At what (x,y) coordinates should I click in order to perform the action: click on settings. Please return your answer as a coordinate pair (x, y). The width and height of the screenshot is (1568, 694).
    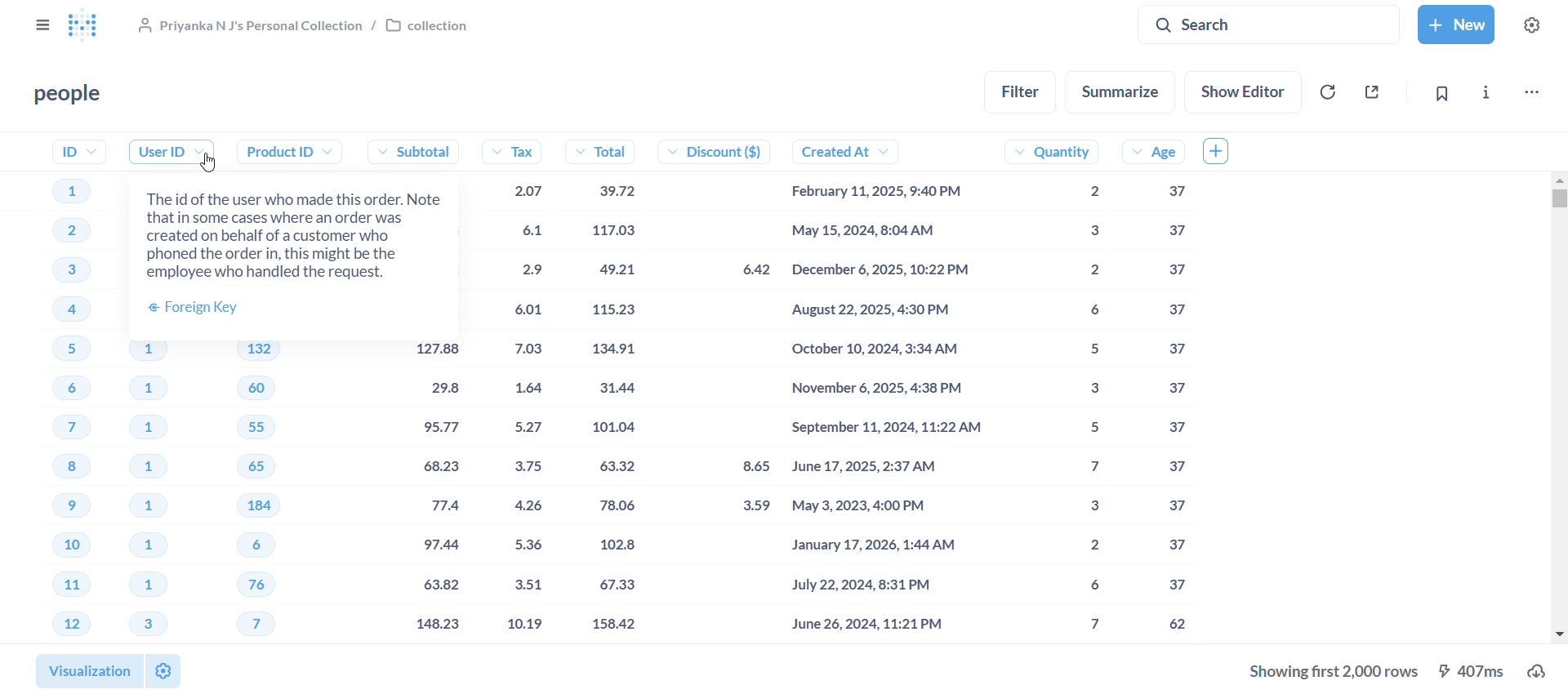
    Looking at the image, I should click on (162, 673).